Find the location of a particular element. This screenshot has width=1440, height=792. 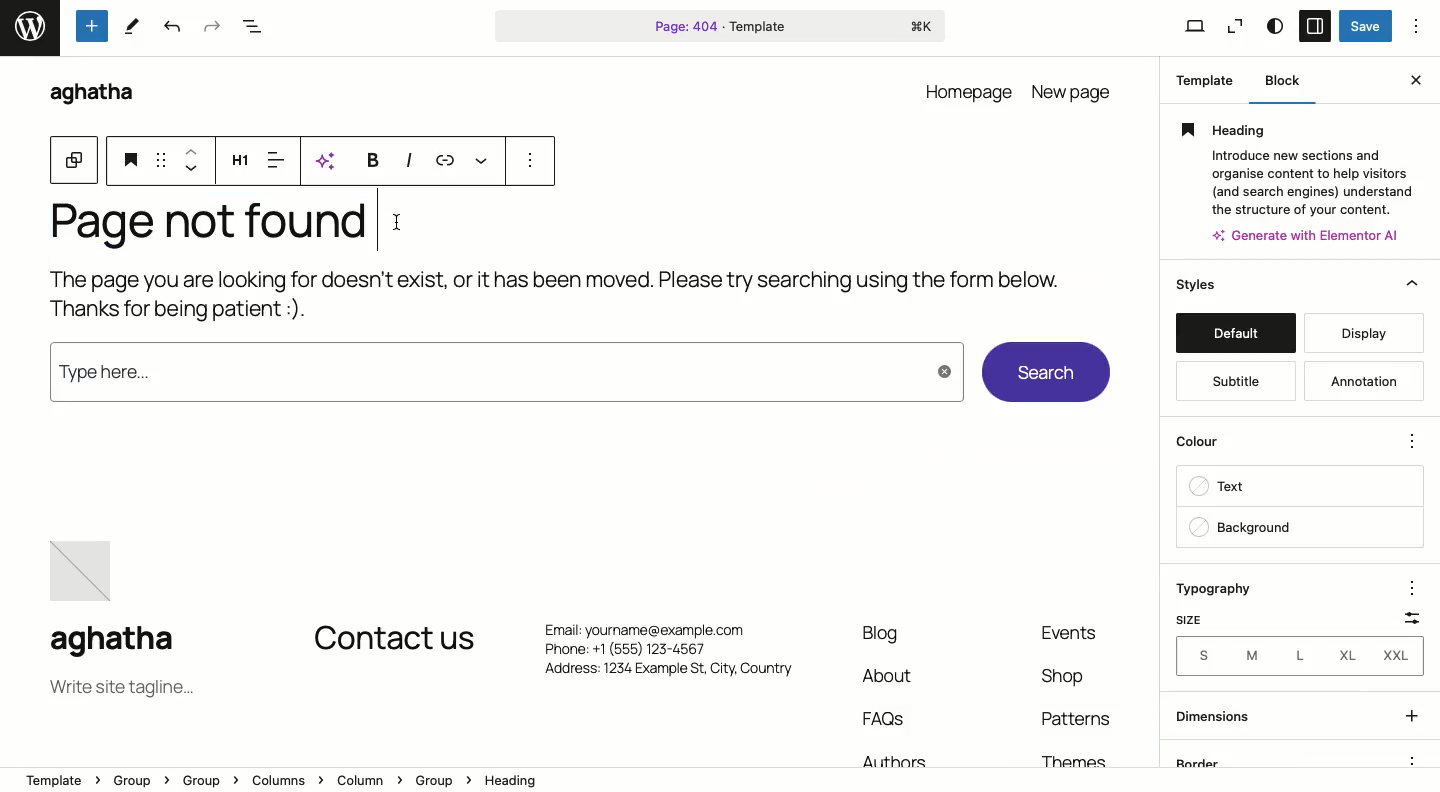

Close is located at coordinates (1418, 81).